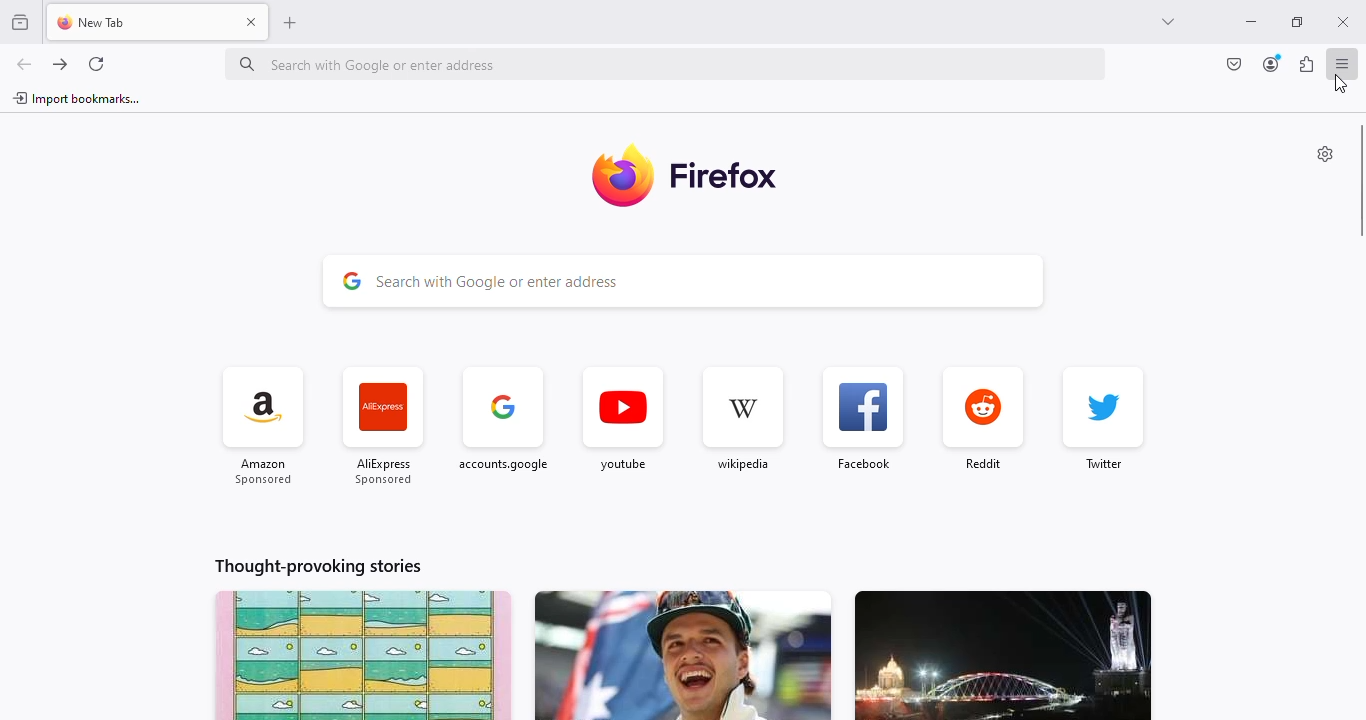 The image size is (1366, 720). What do you see at coordinates (622, 421) in the screenshot?
I see `youtube` at bounding box center [622, 421].